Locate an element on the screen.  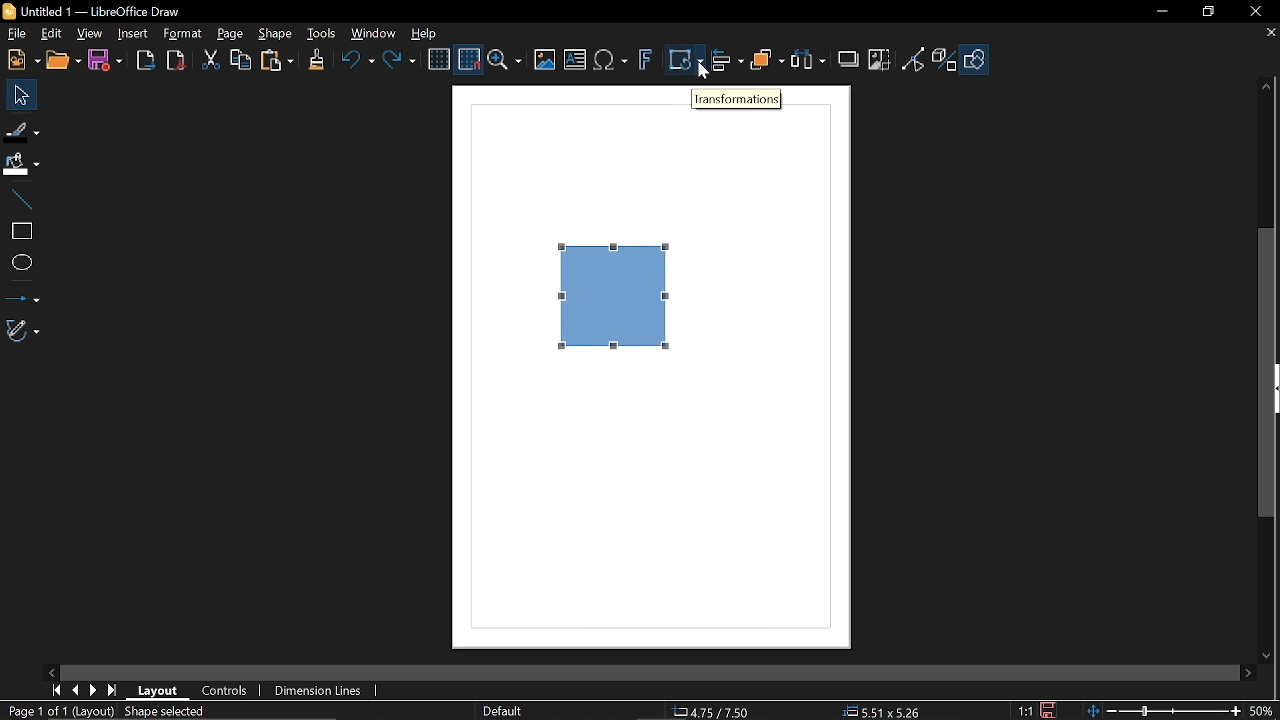
Crop is located at coordinates (879, 60).